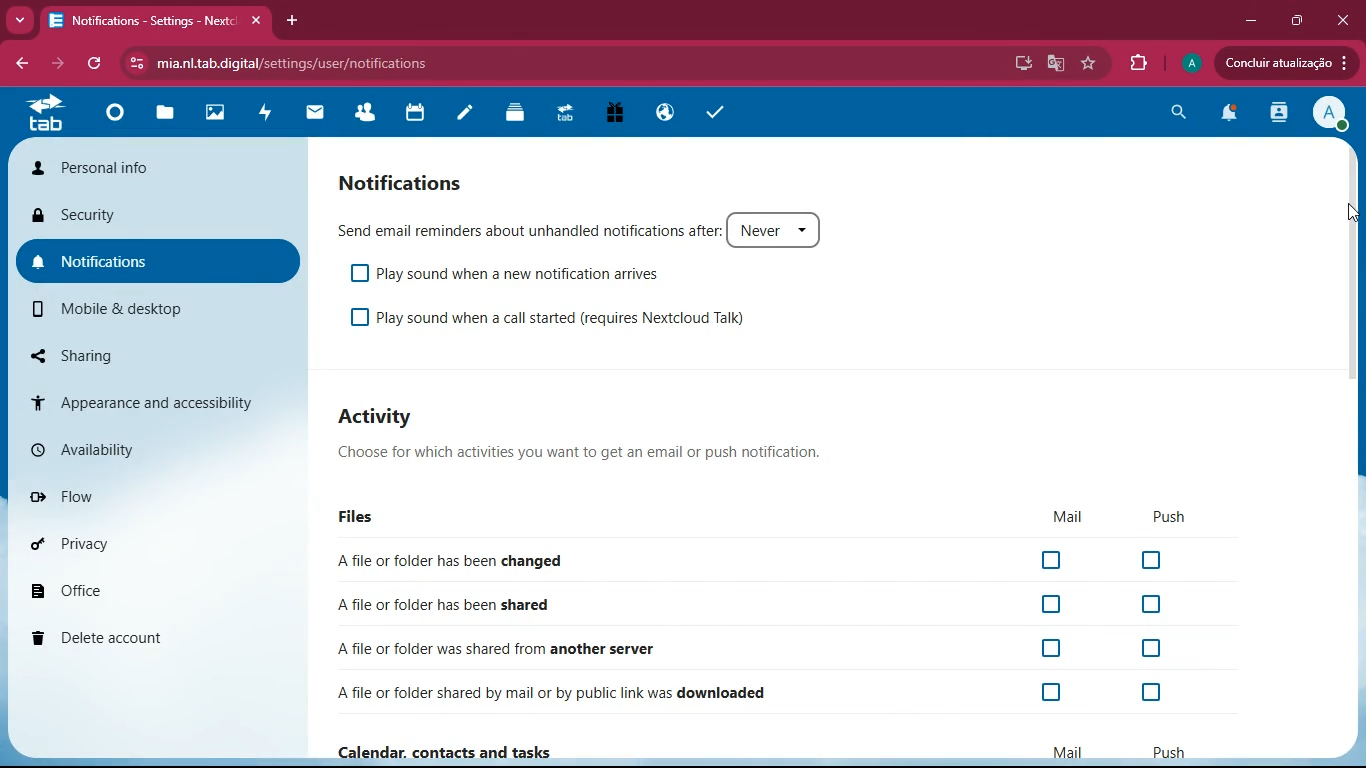 This screenshot has height=768, width=1366. Describe the element at coordinates (156, 401) in the screenshot. I see `appearance and accessibility` at that location.